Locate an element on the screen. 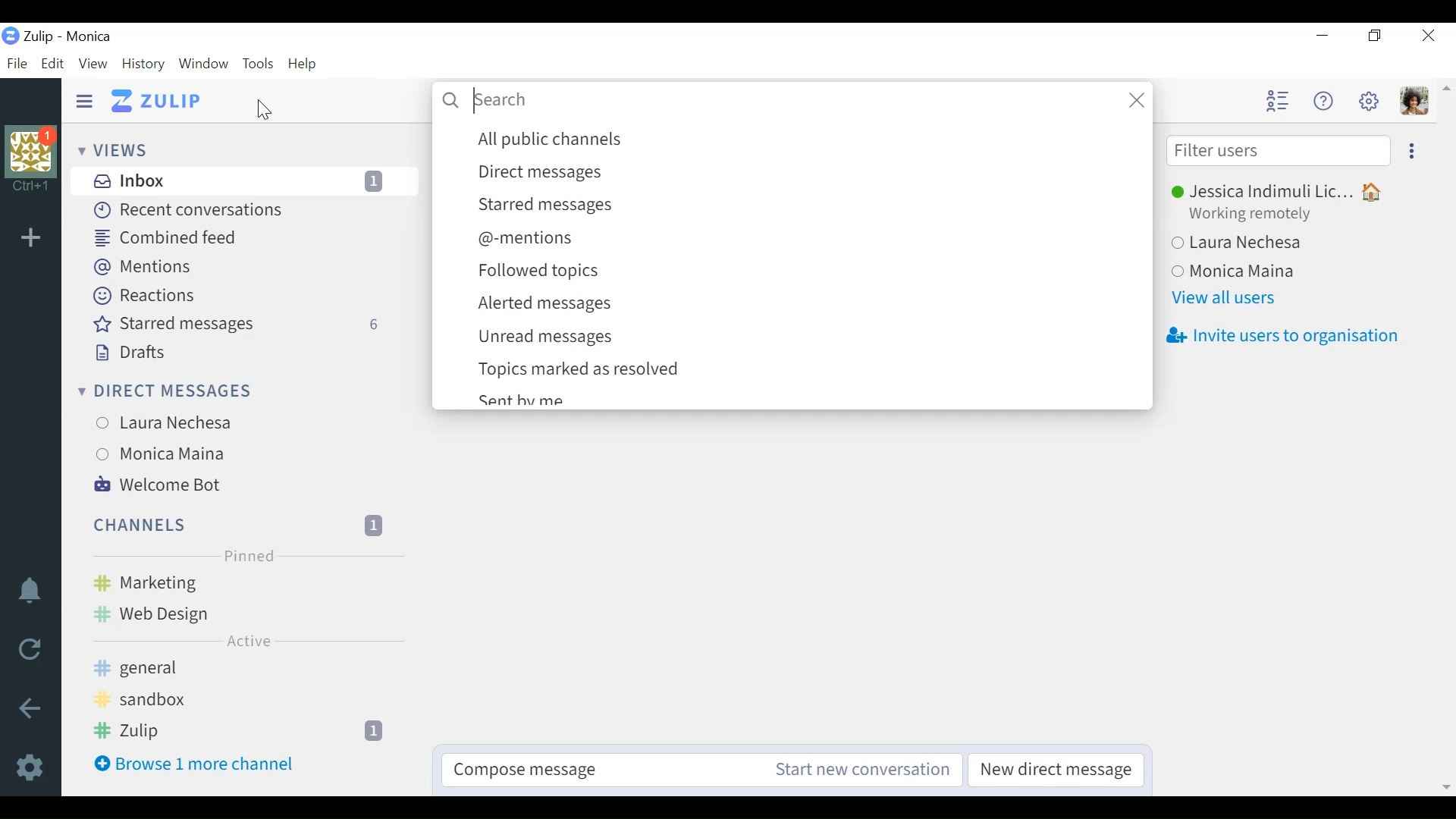  View all users is located at coordinates (1222, 300).